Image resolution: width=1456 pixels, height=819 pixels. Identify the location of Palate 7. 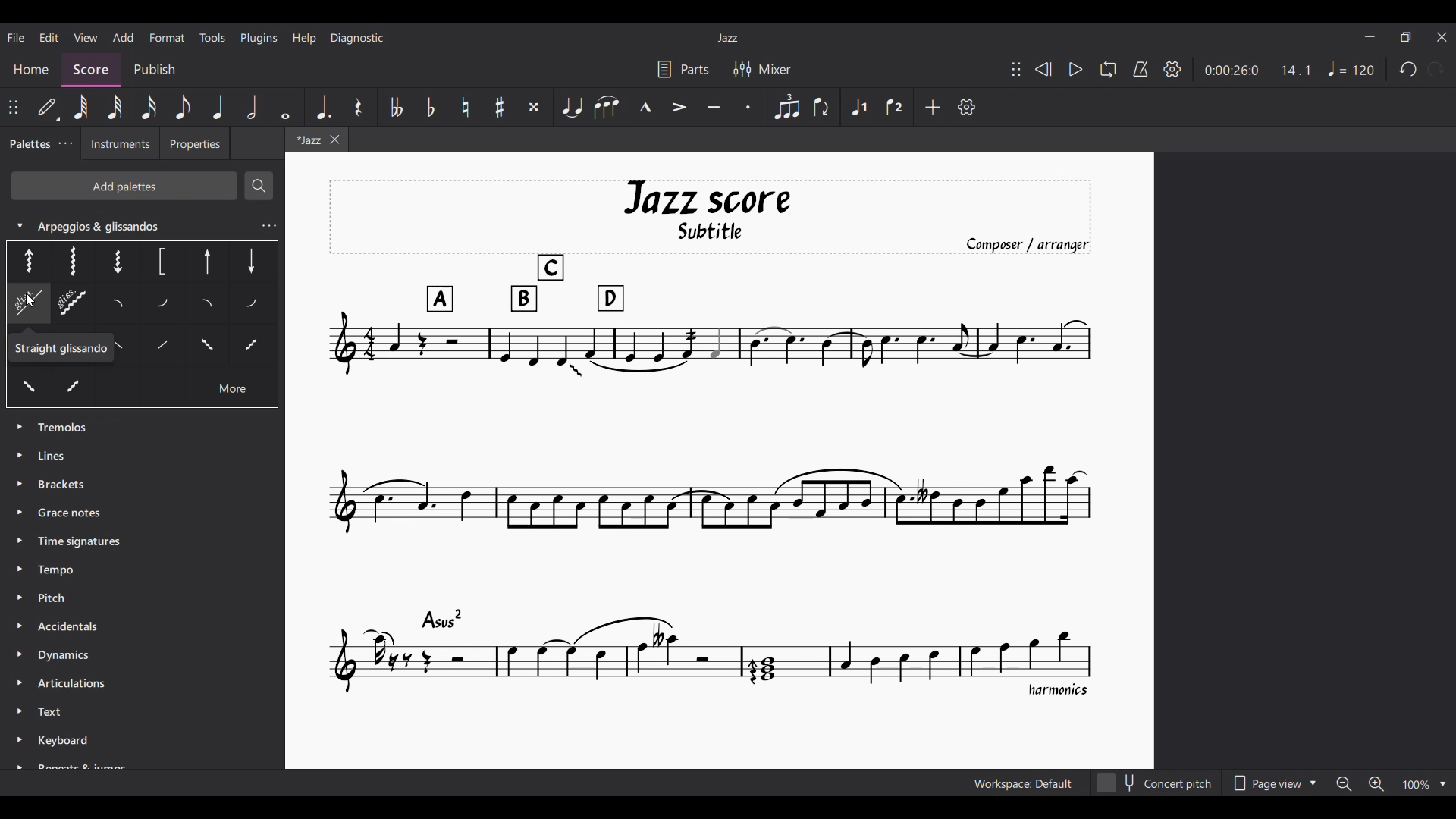
(23, 306).